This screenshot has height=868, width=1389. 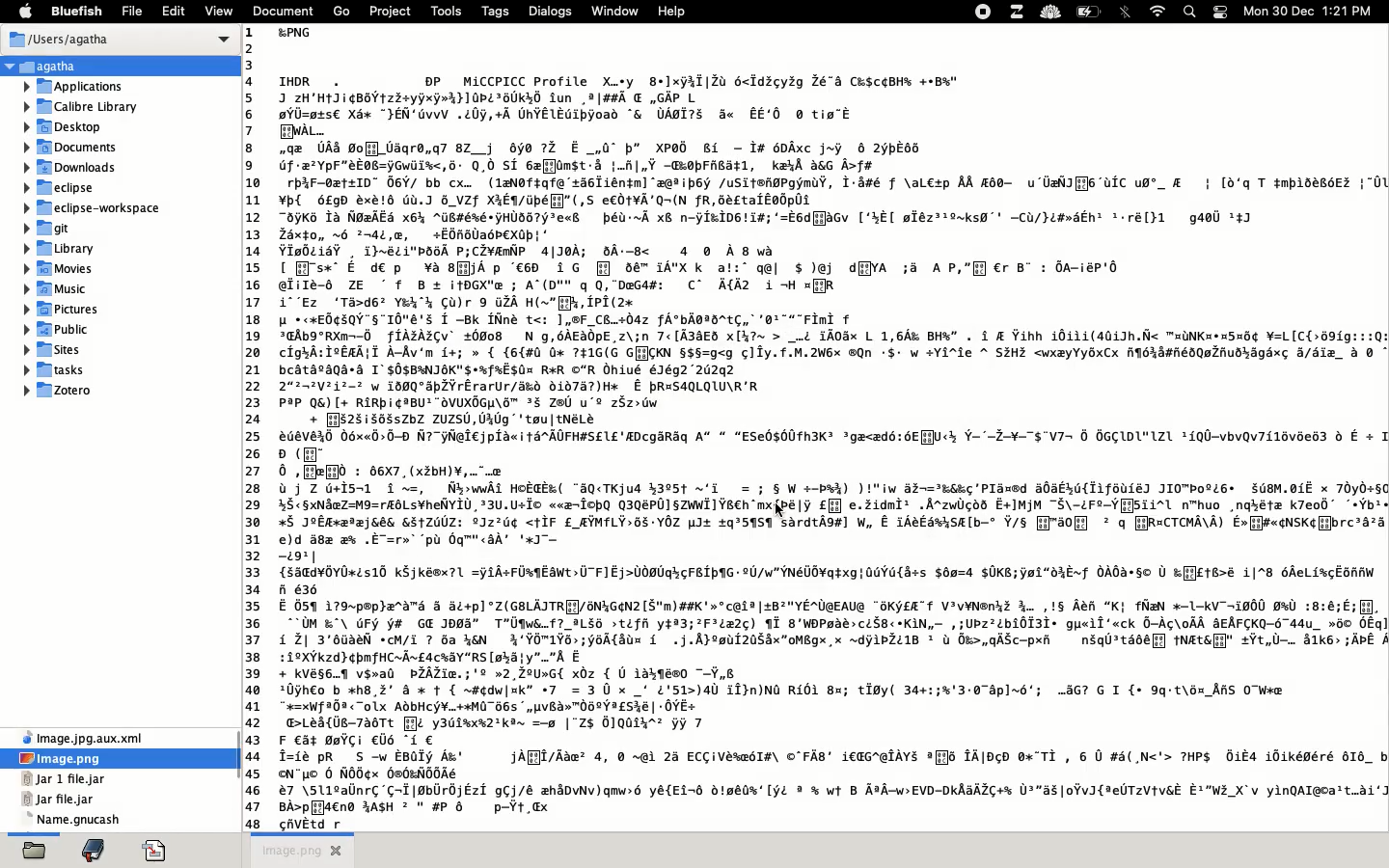 What do you see at coordinates (81, 108) in the screenshot?
I see `calibre library` at bounding box center [81, 108].